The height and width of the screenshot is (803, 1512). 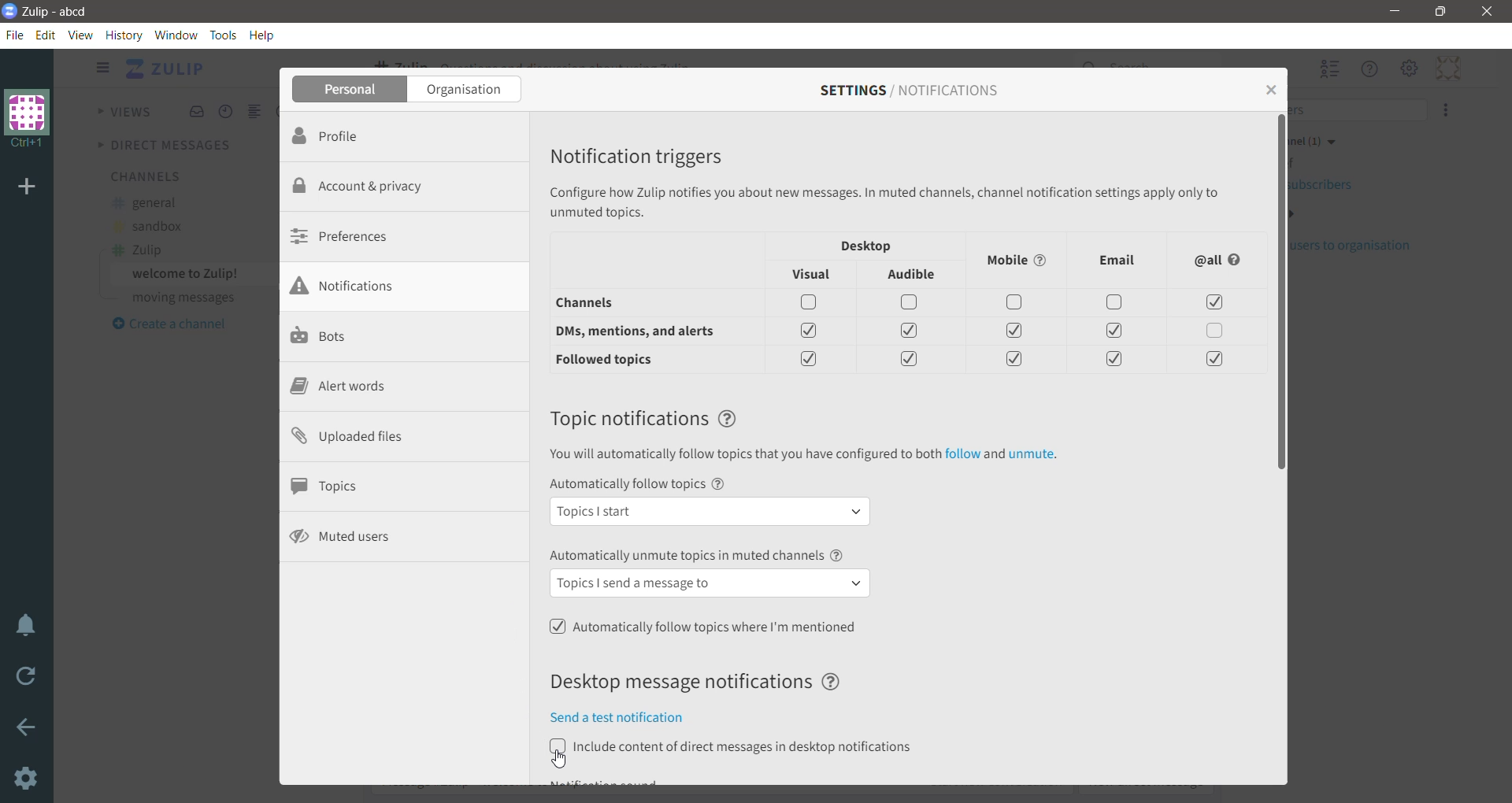 What do you see at coordinates (264, 35) in the screenshot?
I see `Help` at bounding box center [264, 35].